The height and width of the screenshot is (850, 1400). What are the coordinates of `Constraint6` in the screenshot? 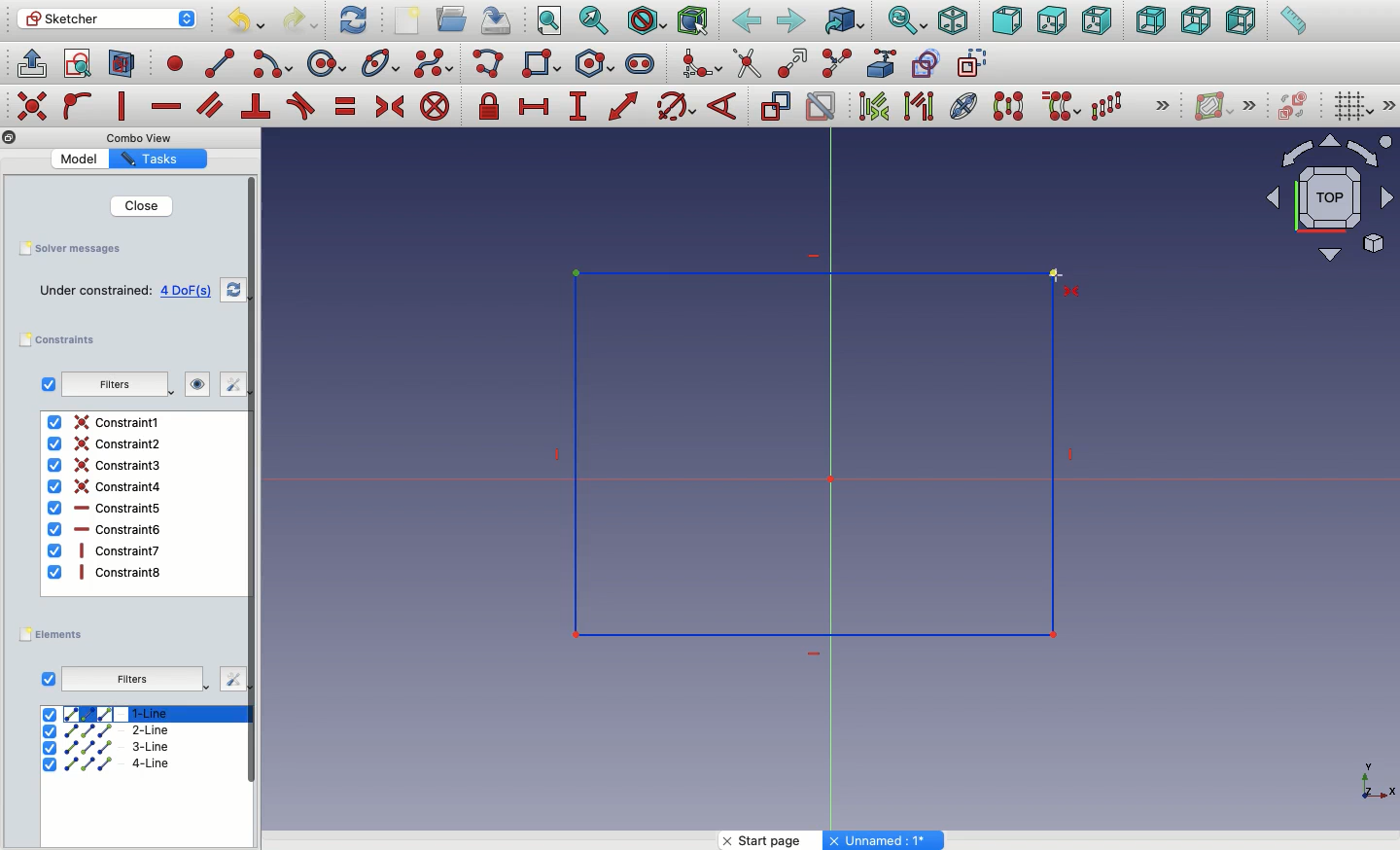 It's located at (105, 529).